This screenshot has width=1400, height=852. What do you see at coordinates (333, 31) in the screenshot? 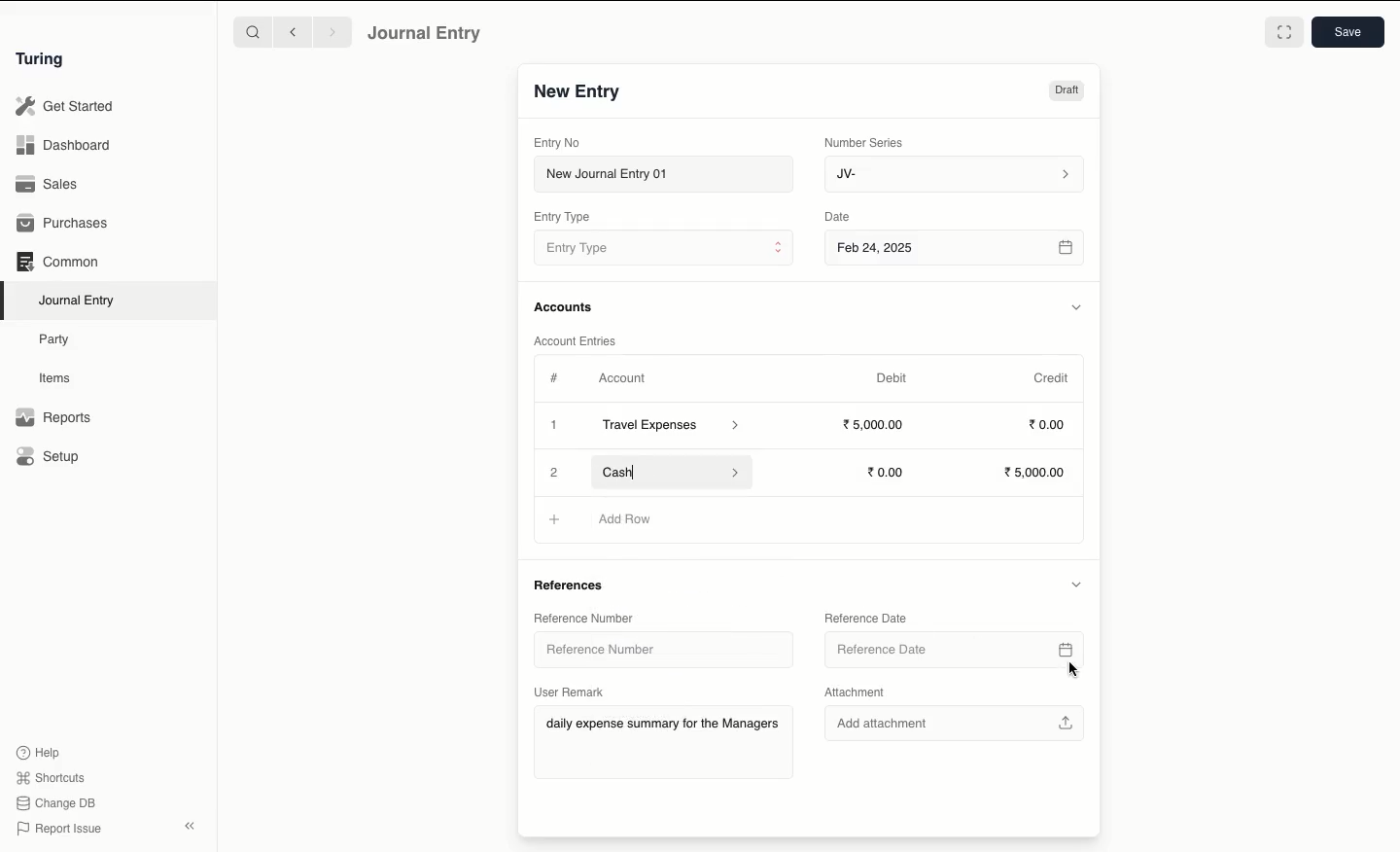
I see `Forward` at bounding box center [333, 31].